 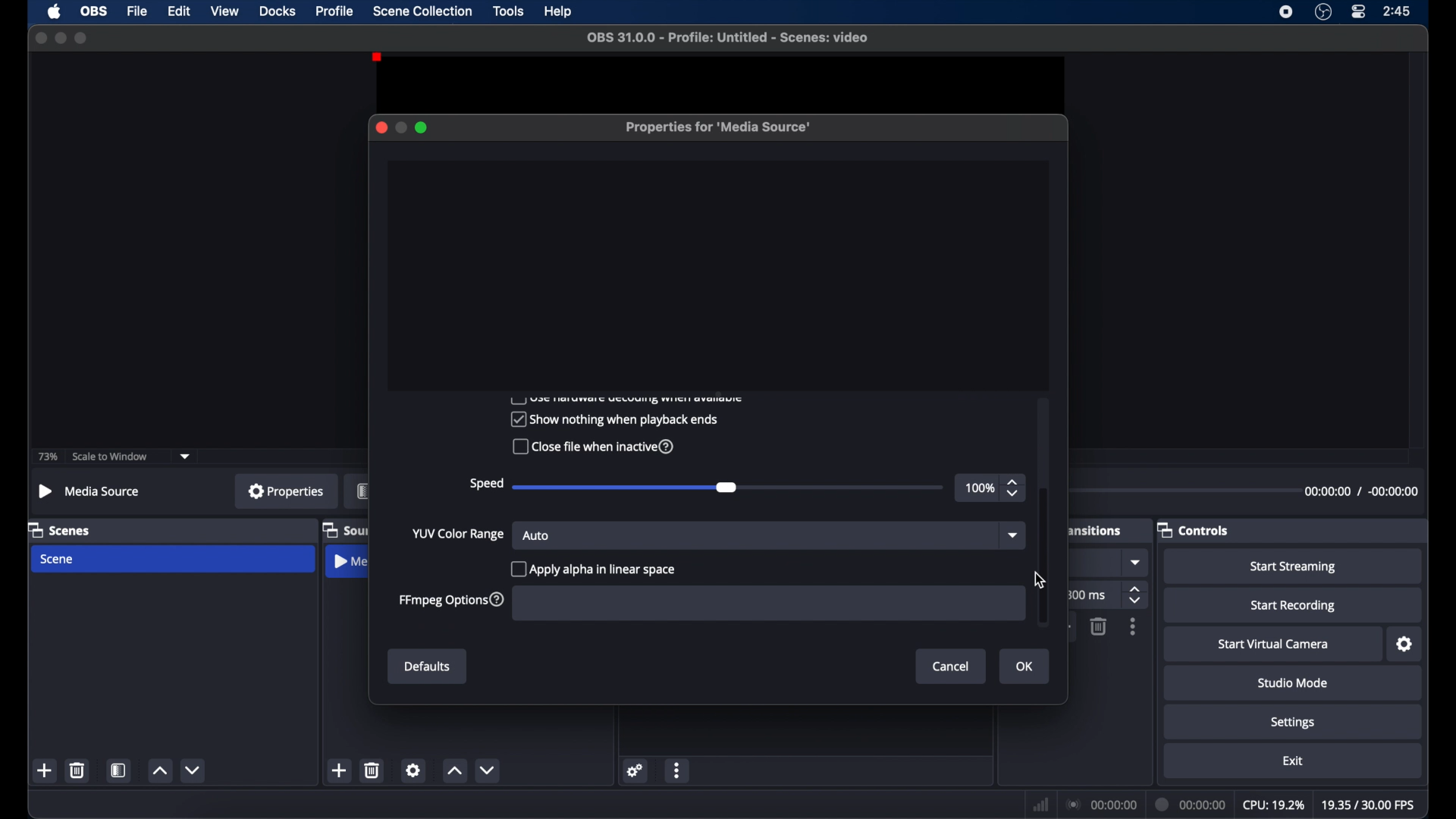 I want to click on delete, so click(x=78, y=770).